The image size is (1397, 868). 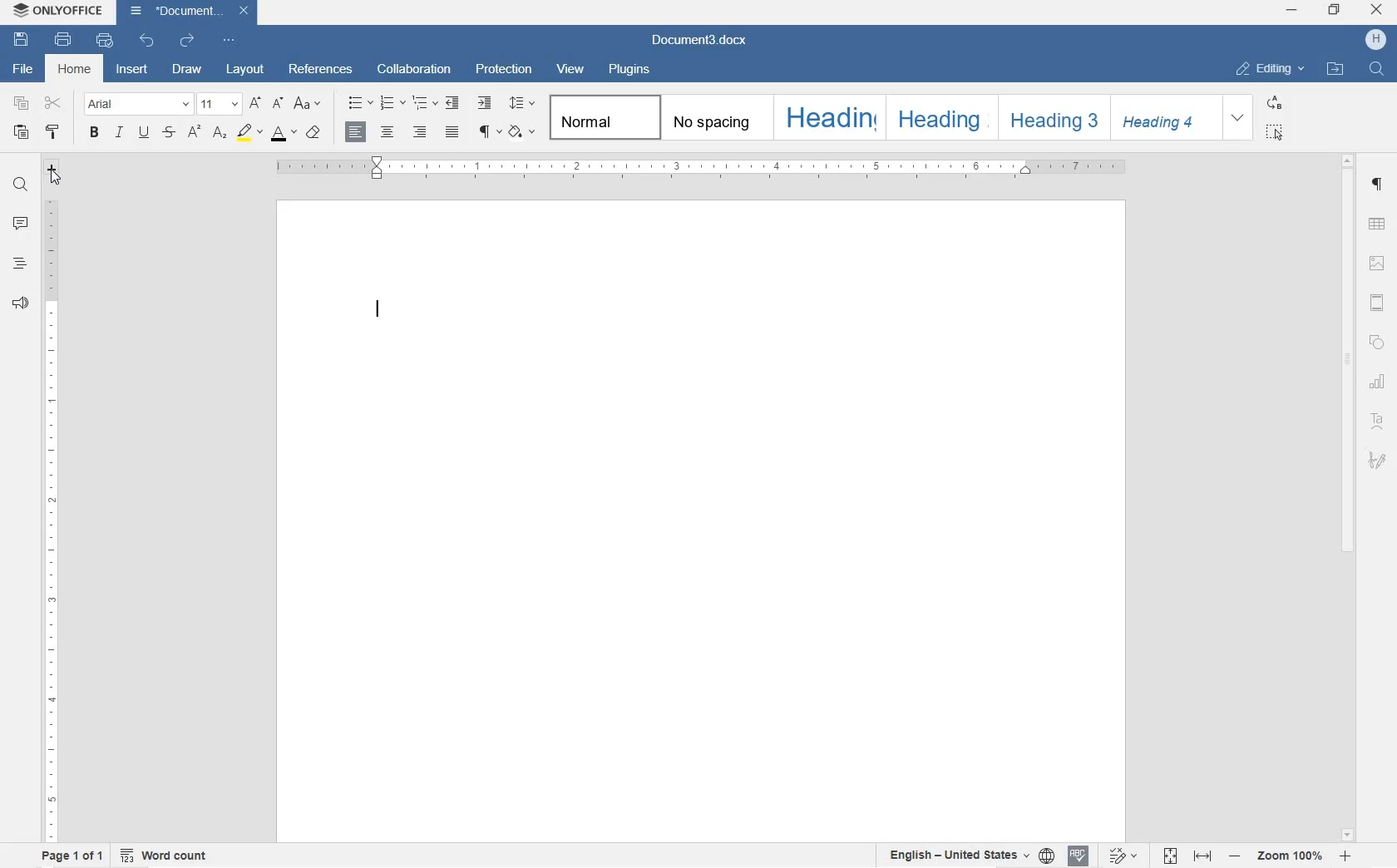 What do you see at coordinates (451, 104) in the screenshot?
I see `DECREASE INDENT` at bounding box center [451, 104].